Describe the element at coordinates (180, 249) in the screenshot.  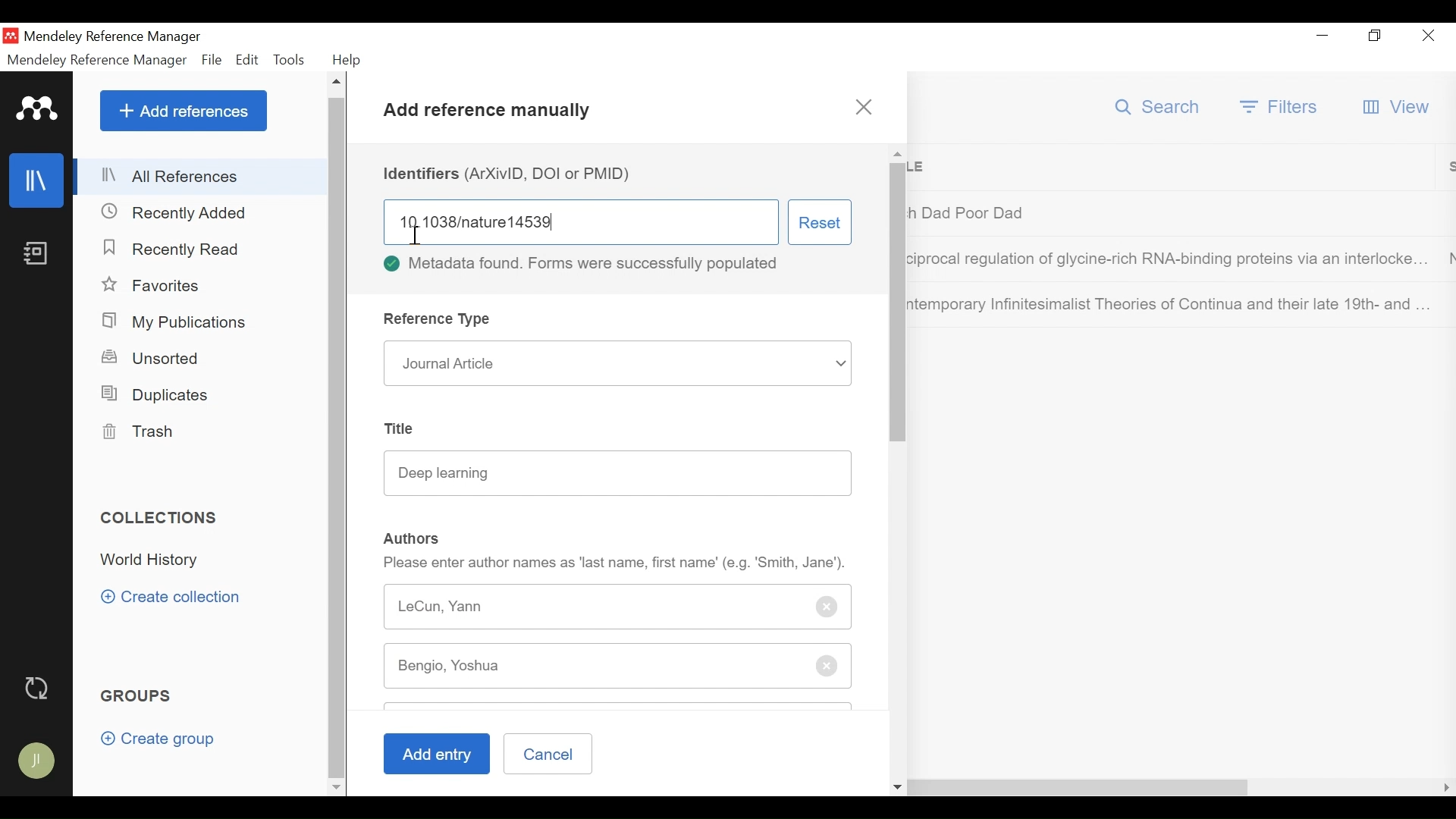
I see `Recently Read` at that location.